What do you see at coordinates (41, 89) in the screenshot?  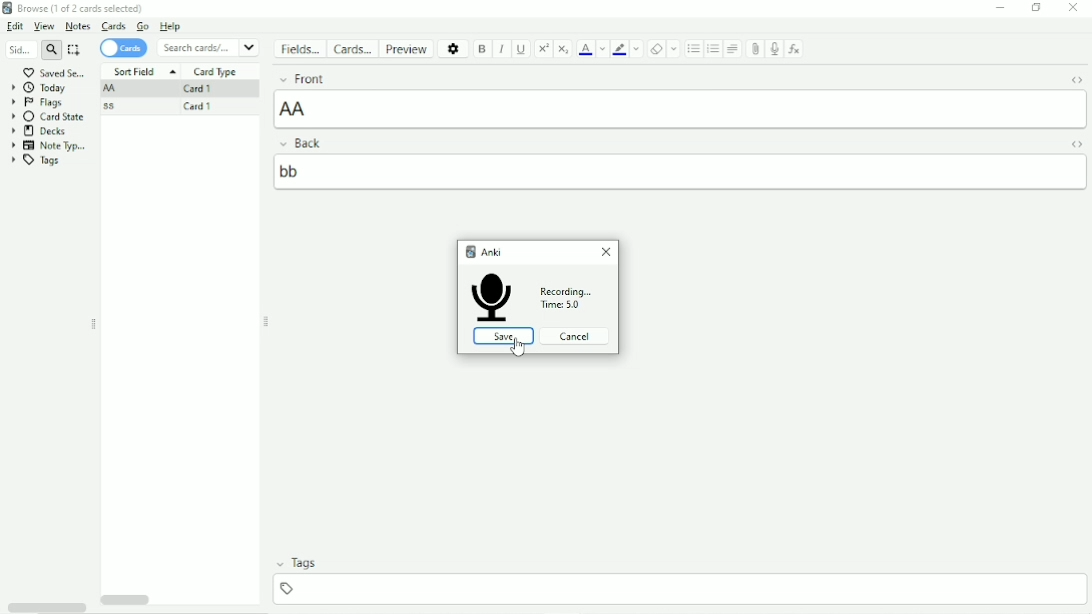 I see `Today` at bounding box center [41, 89].